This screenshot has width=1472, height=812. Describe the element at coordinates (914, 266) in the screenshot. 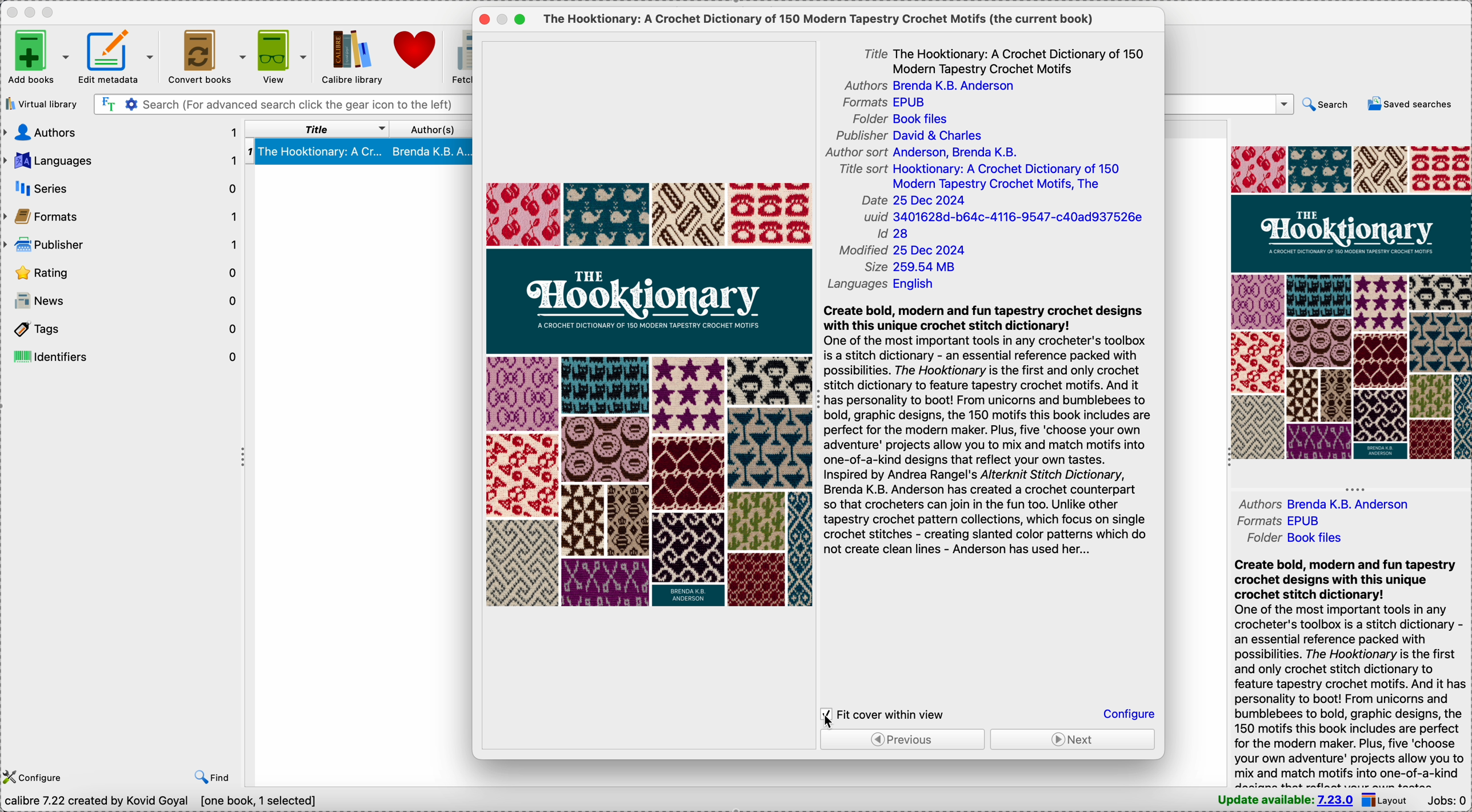

I see `size` at that location.